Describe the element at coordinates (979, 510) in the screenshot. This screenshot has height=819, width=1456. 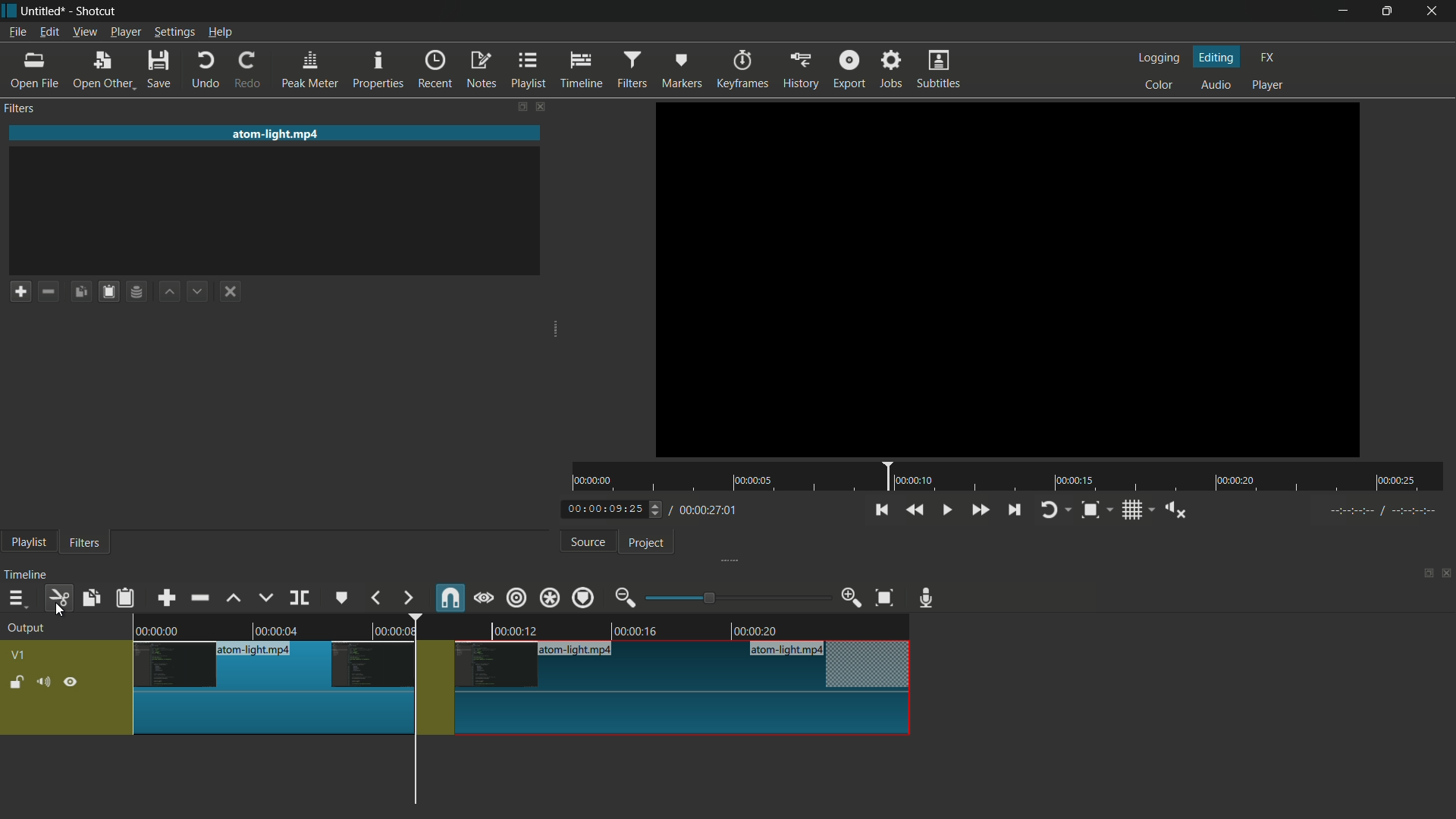
I see `quickly play forward` at that location.